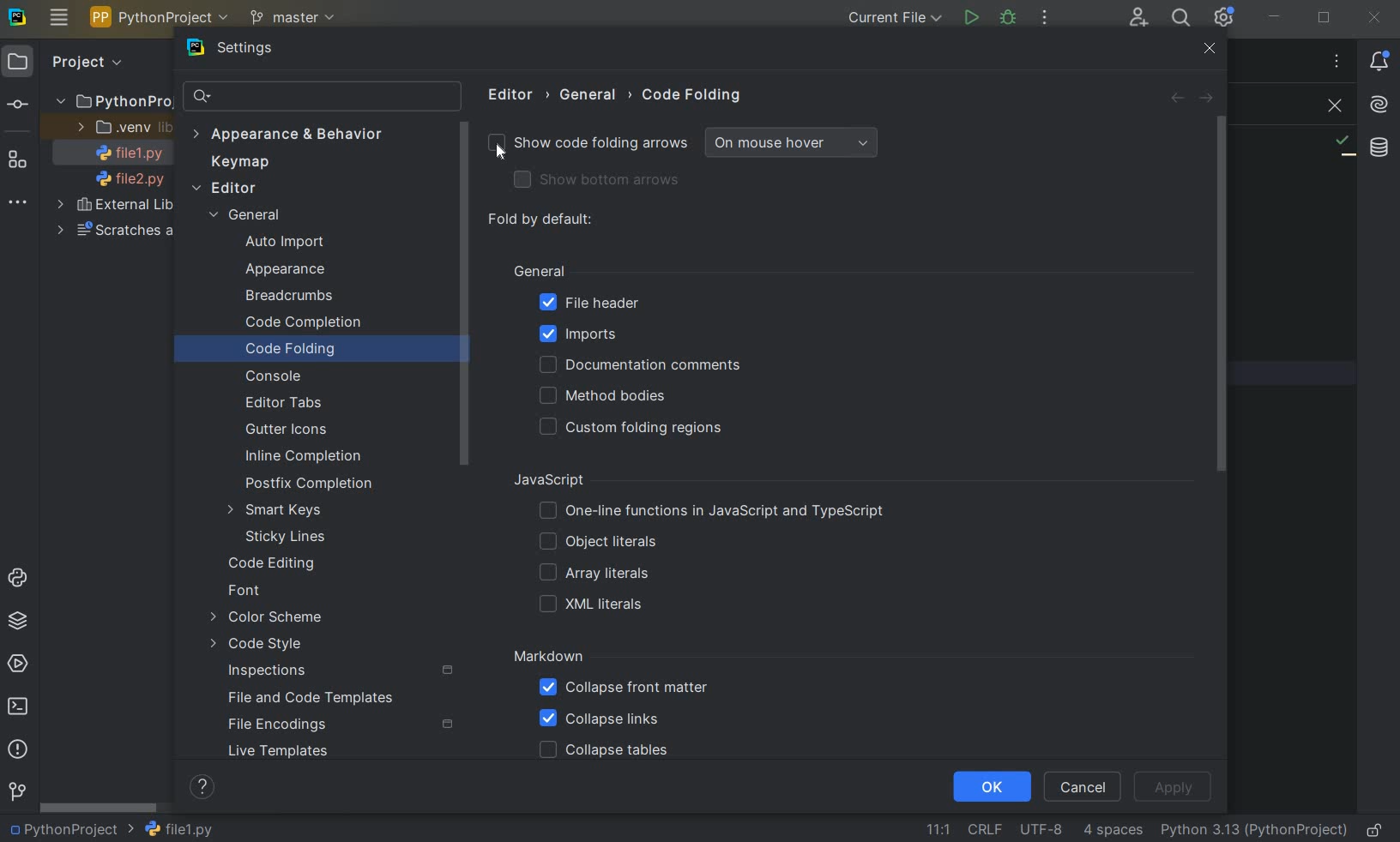 Image resolution: width=1400 pixels, height=842 pixels. Describe the element at coordinates (20, 663) in the screenshot. I see `SERVICES` at that location.